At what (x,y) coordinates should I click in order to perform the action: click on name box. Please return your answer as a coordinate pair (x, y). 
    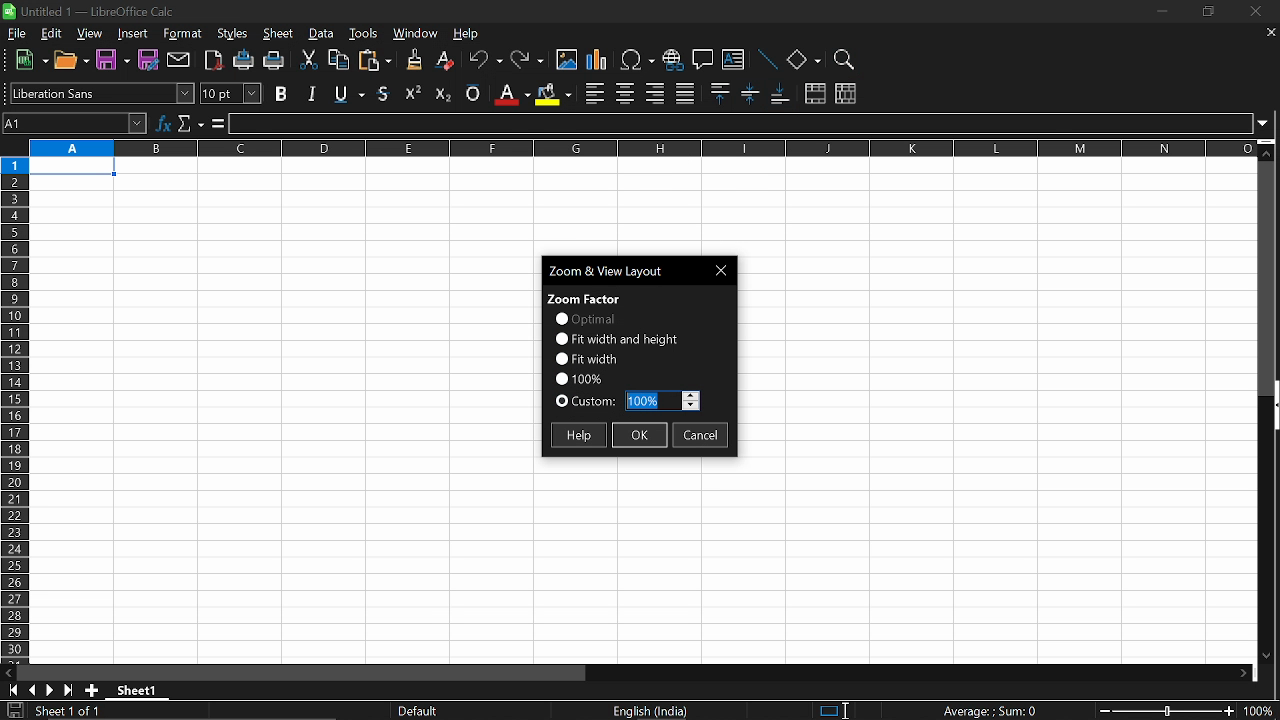
    Looking at the image, I should click on (76, 123).